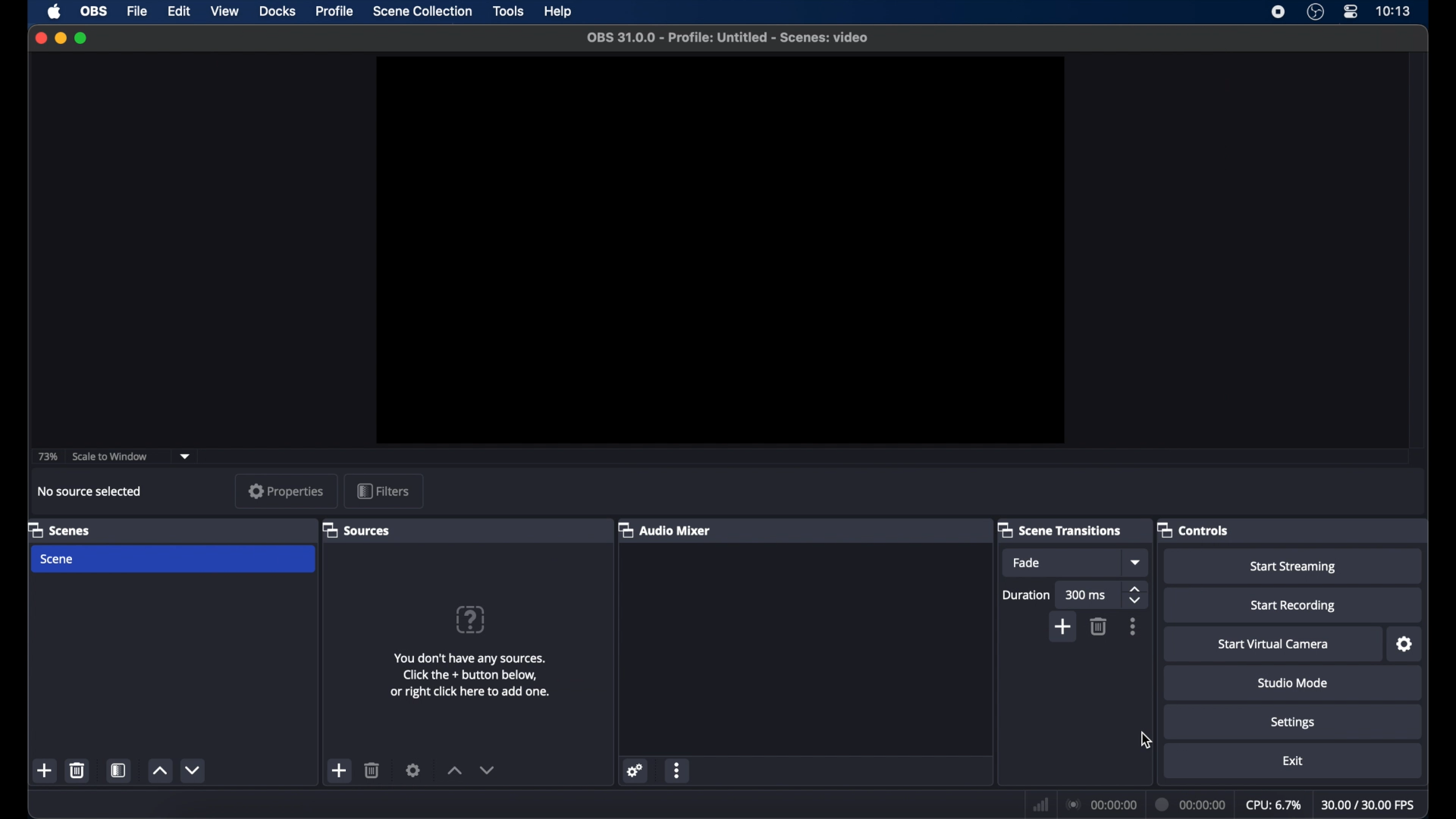  I want to click on start virtual camera, so click(1274, 645).